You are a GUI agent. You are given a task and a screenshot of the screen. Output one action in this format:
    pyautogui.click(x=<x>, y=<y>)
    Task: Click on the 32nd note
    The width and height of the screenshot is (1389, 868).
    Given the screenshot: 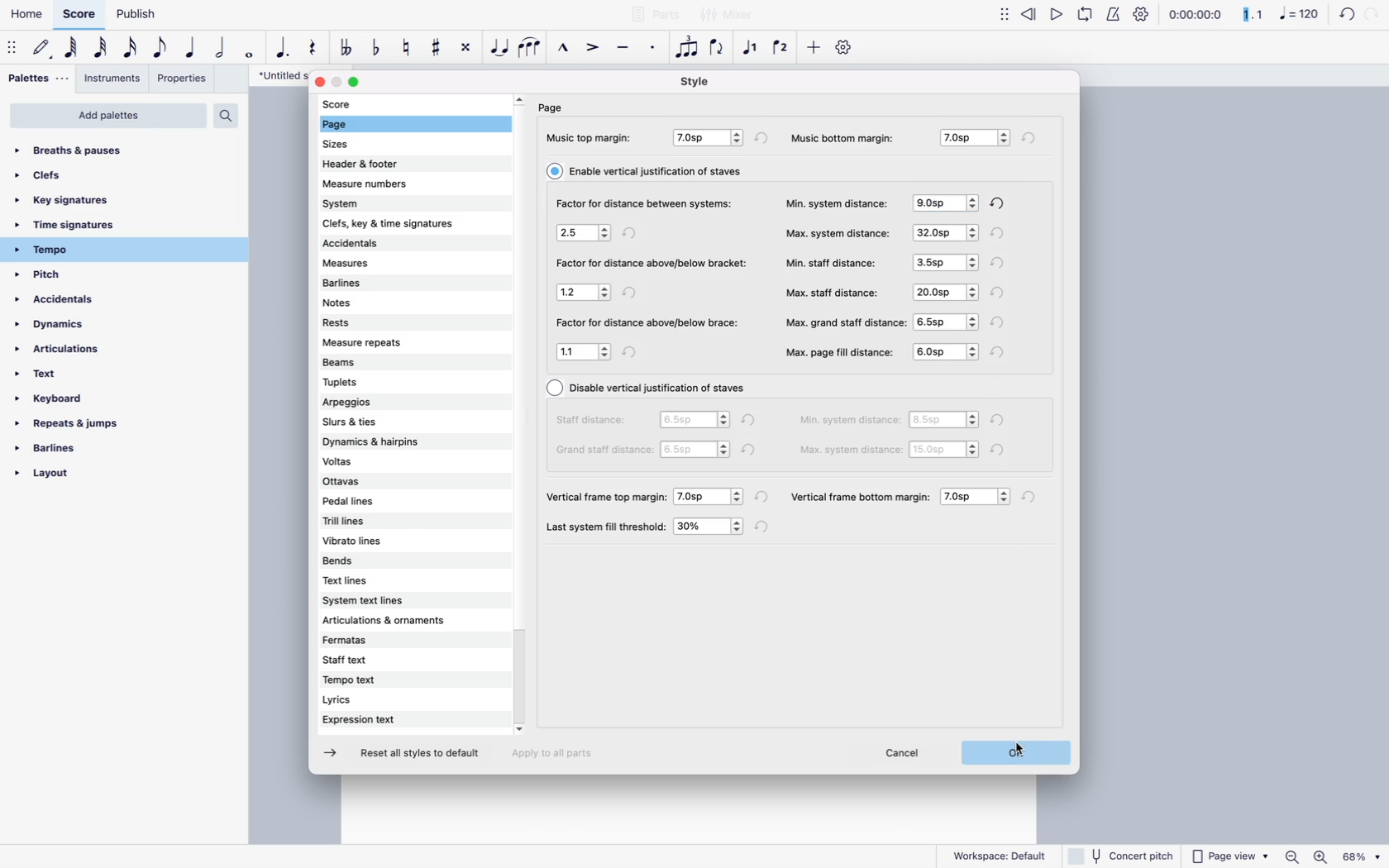 What is the action you would take?
    pyautogui.click(x=102, y=48)
    